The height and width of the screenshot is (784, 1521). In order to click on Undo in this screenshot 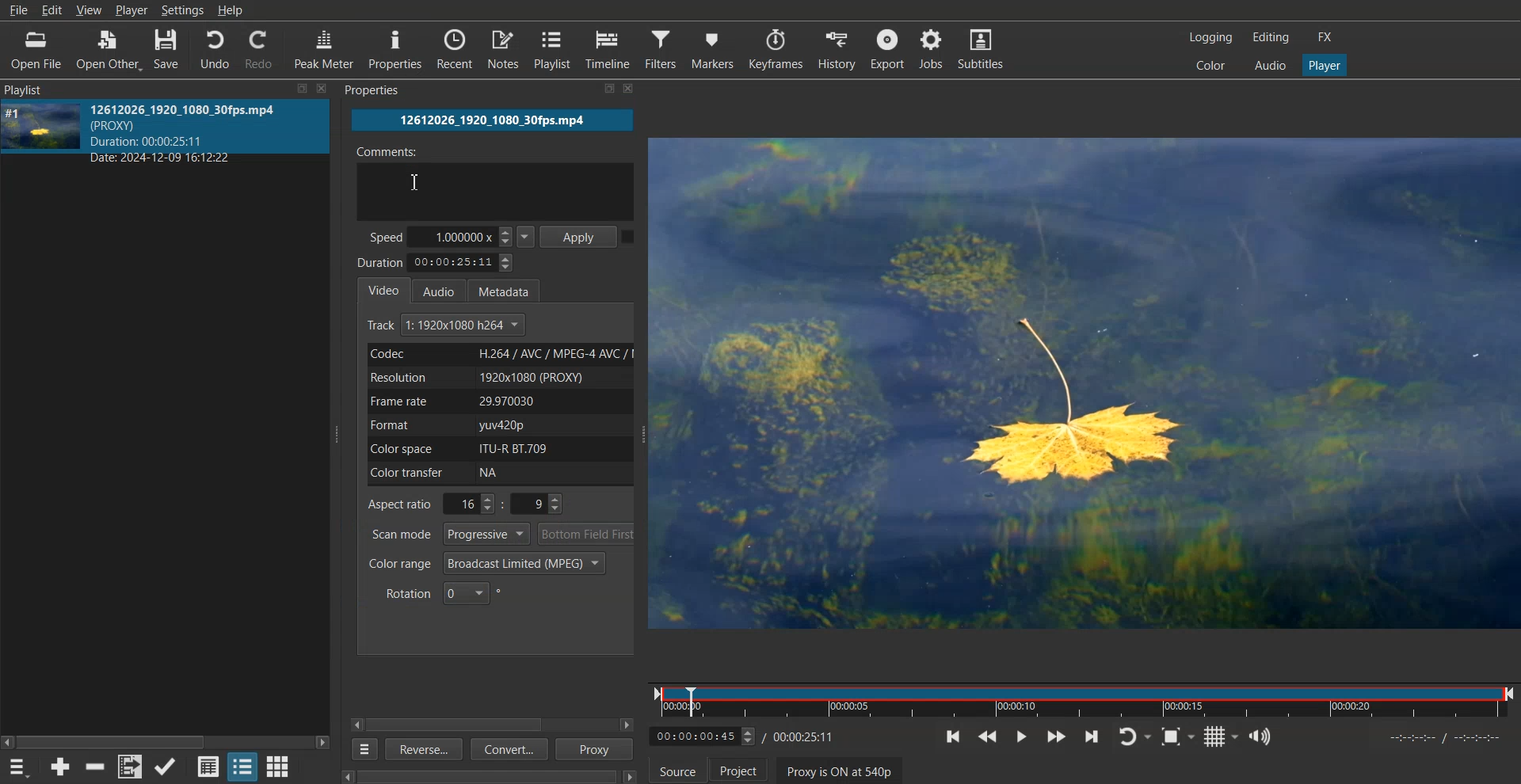, I will do `click(214, 48)`.